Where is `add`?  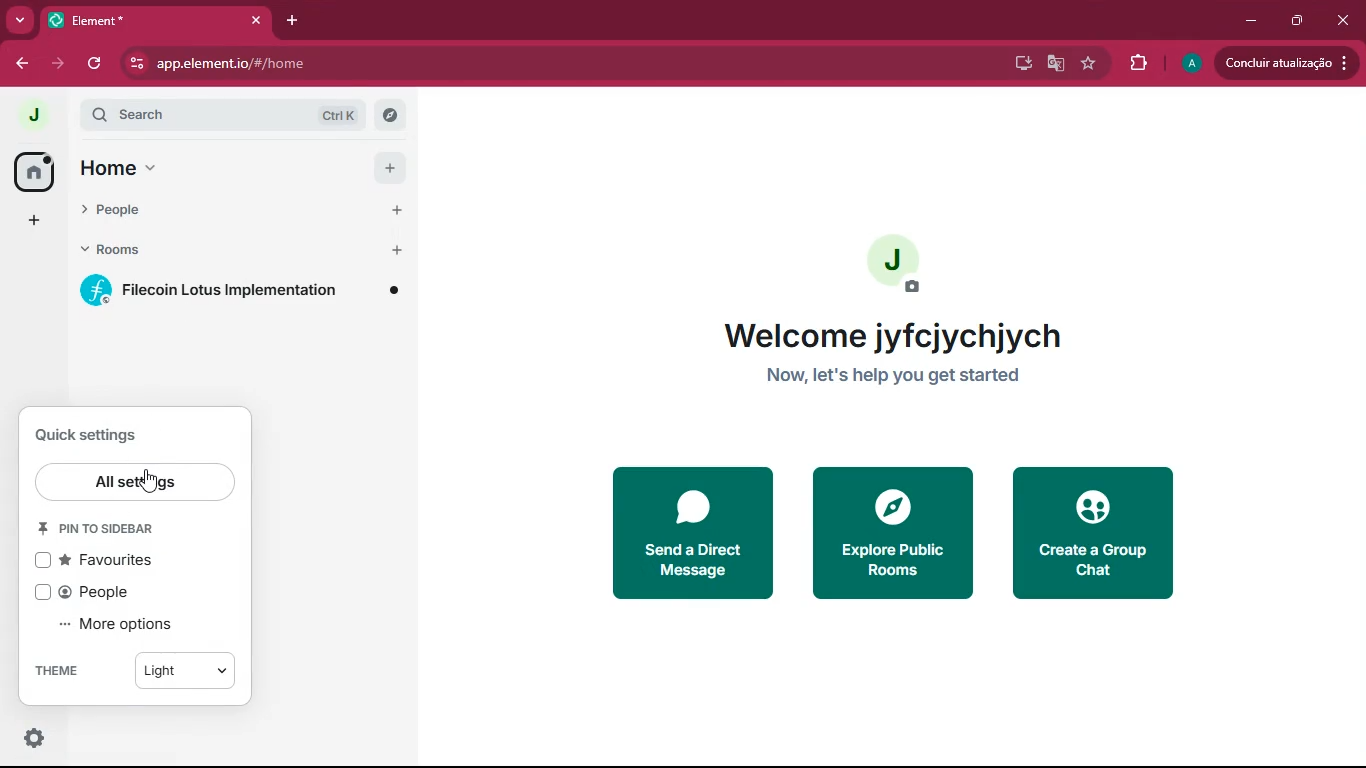 add is located at coordinates (32, 222).